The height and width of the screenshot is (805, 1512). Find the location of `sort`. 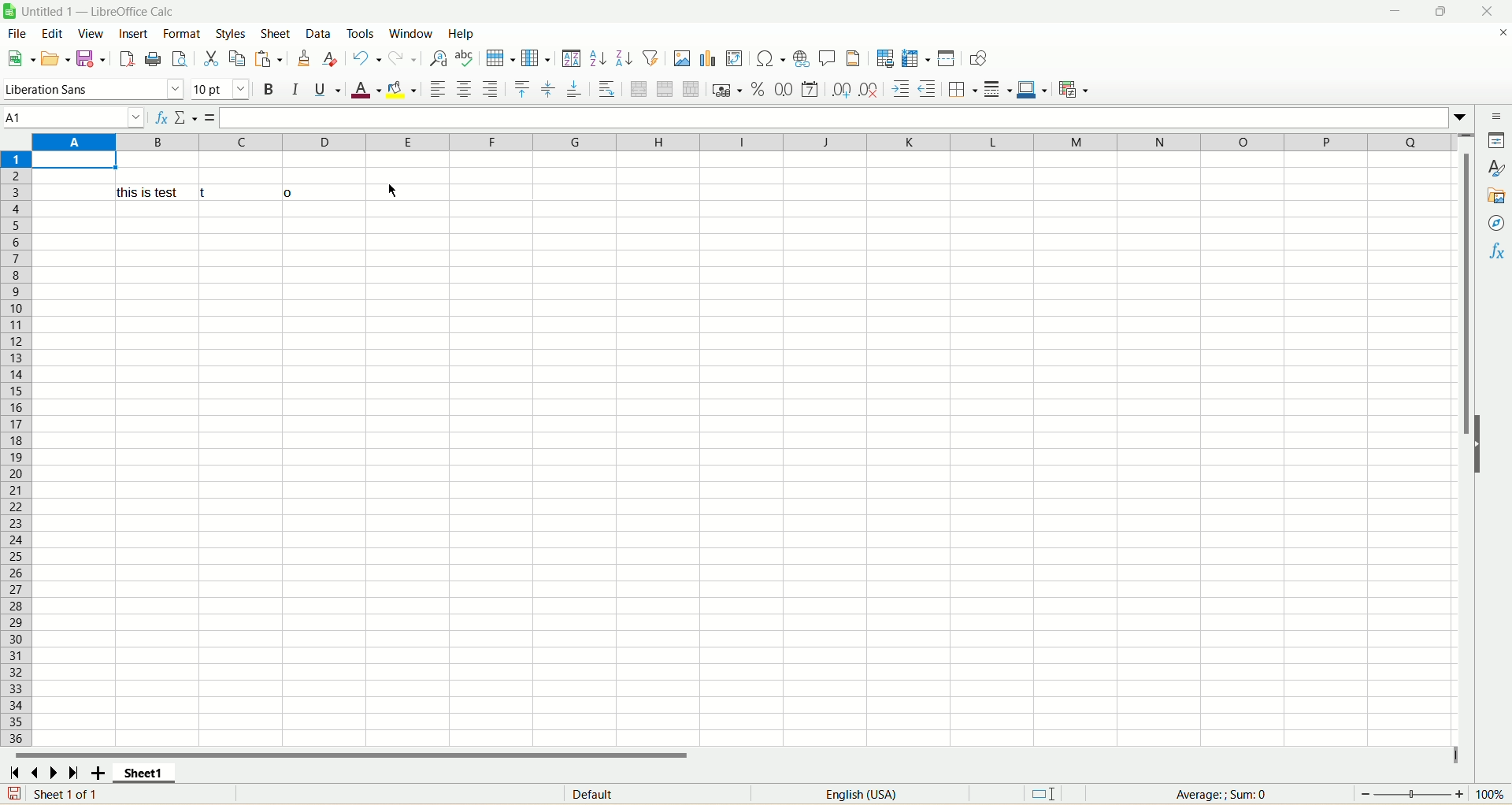

sort is located at coordinates (573, 58).